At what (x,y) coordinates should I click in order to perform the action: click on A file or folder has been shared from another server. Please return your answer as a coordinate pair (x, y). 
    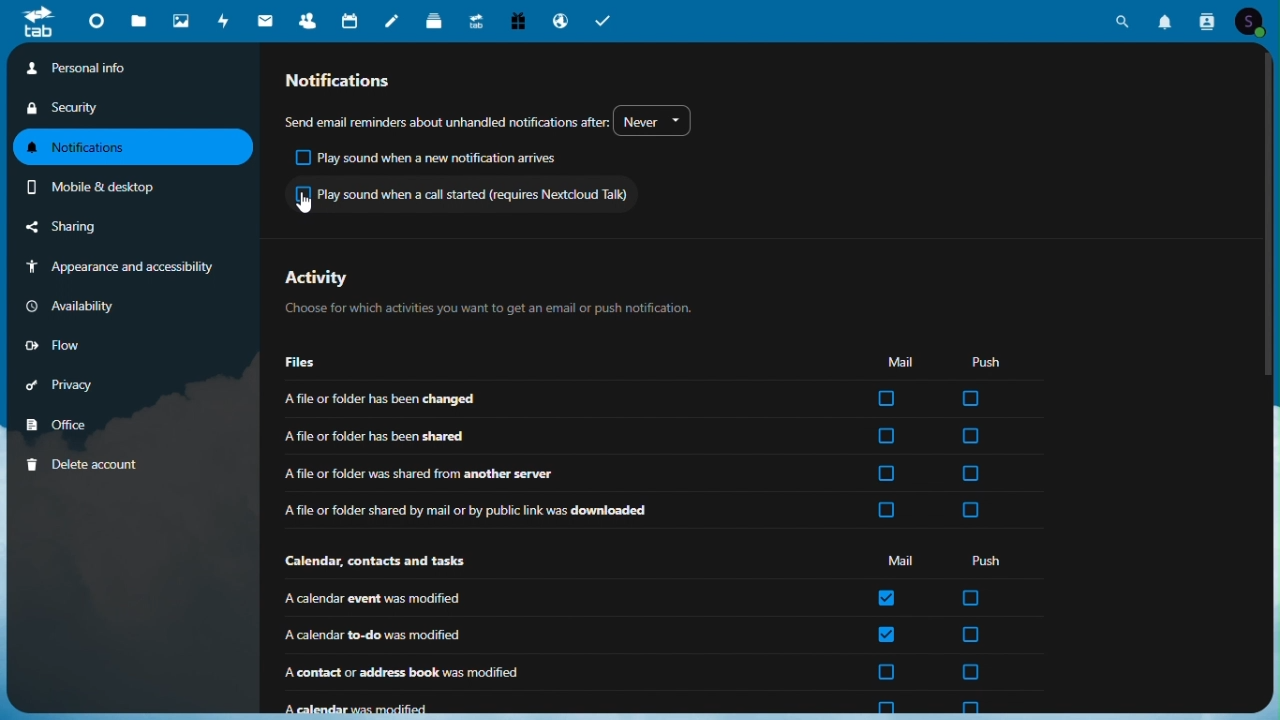
    Looking at the image, I should click on (566, 472).